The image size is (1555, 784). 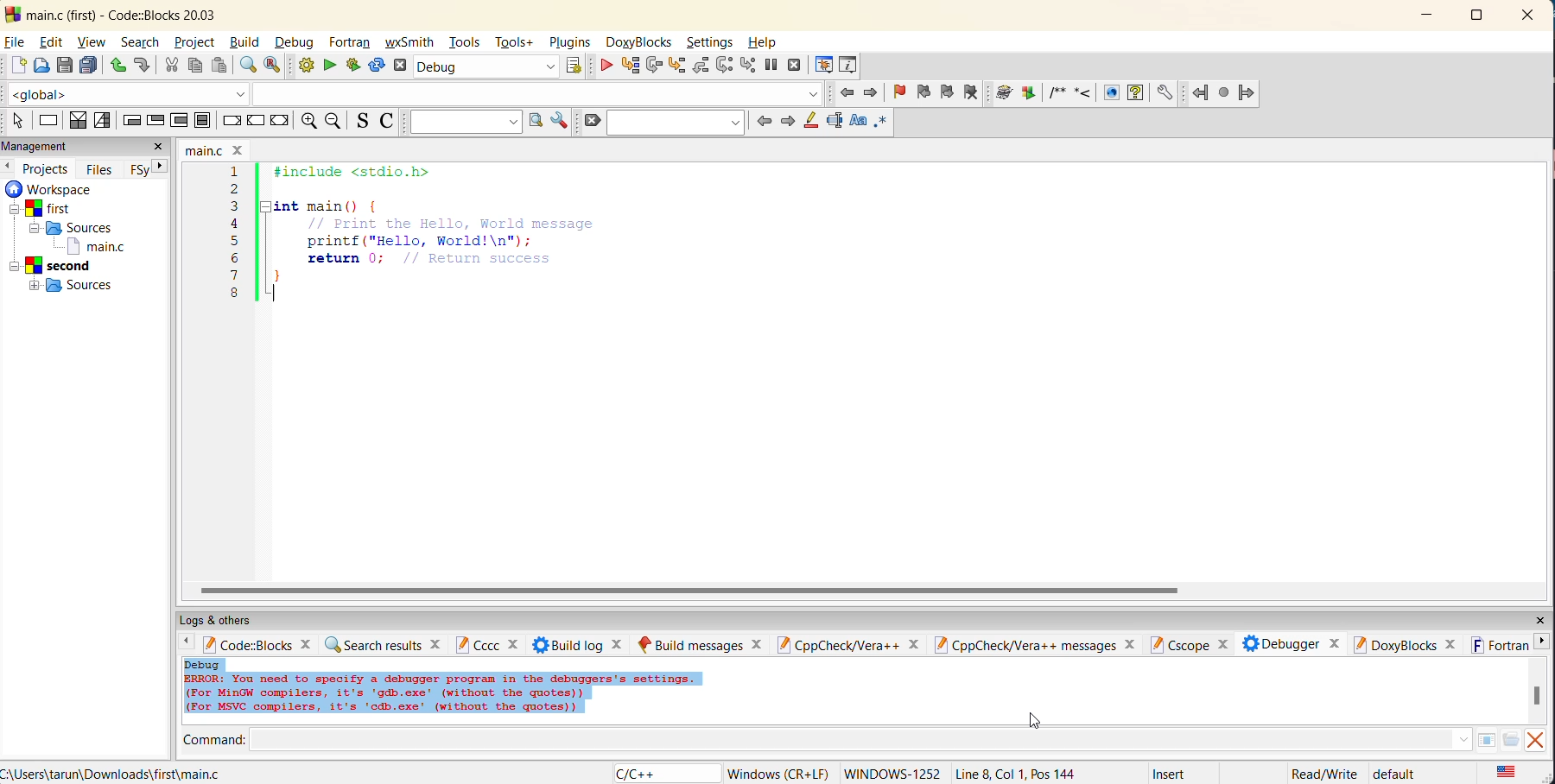 What do you see at coordinates (307, 121) in the screenshot?
I see `zoom in` at bounding box center [307, 121].